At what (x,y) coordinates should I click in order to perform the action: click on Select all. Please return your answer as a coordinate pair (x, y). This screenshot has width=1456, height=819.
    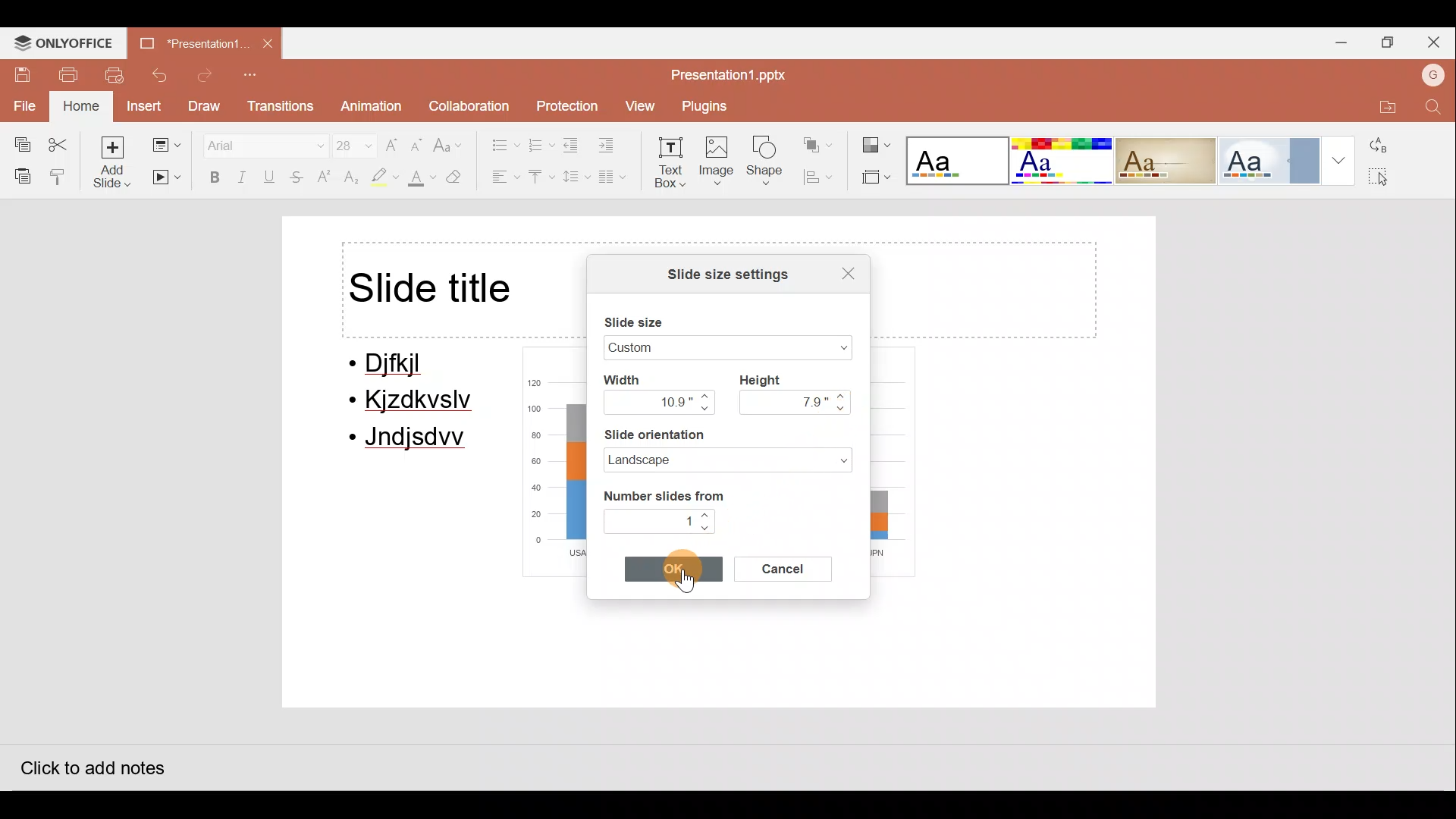
    Looking at the image, I should click on (1389, 178).